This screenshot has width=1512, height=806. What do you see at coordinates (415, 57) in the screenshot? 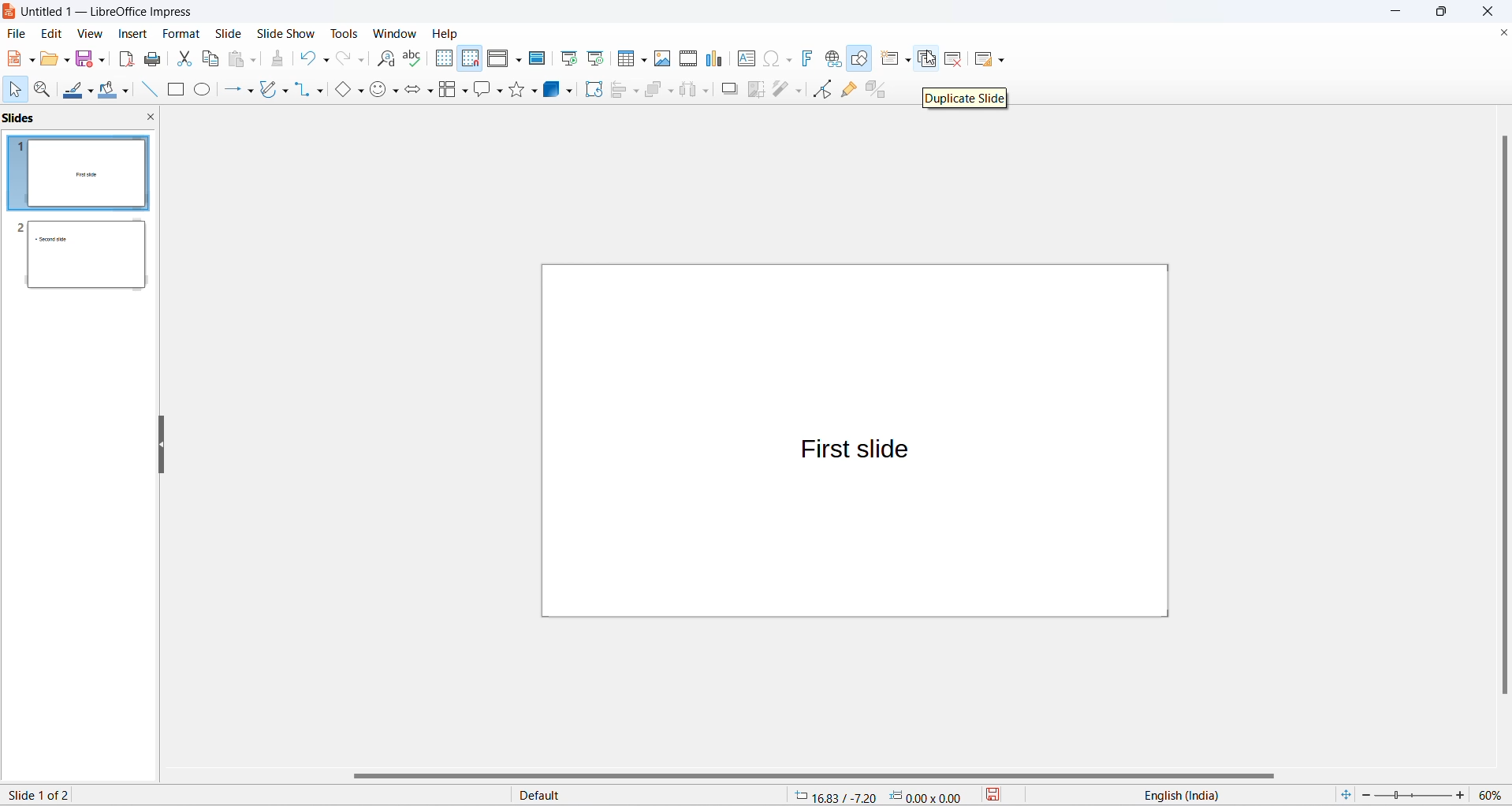
I see `spellings` at bounding box center [415, 57].